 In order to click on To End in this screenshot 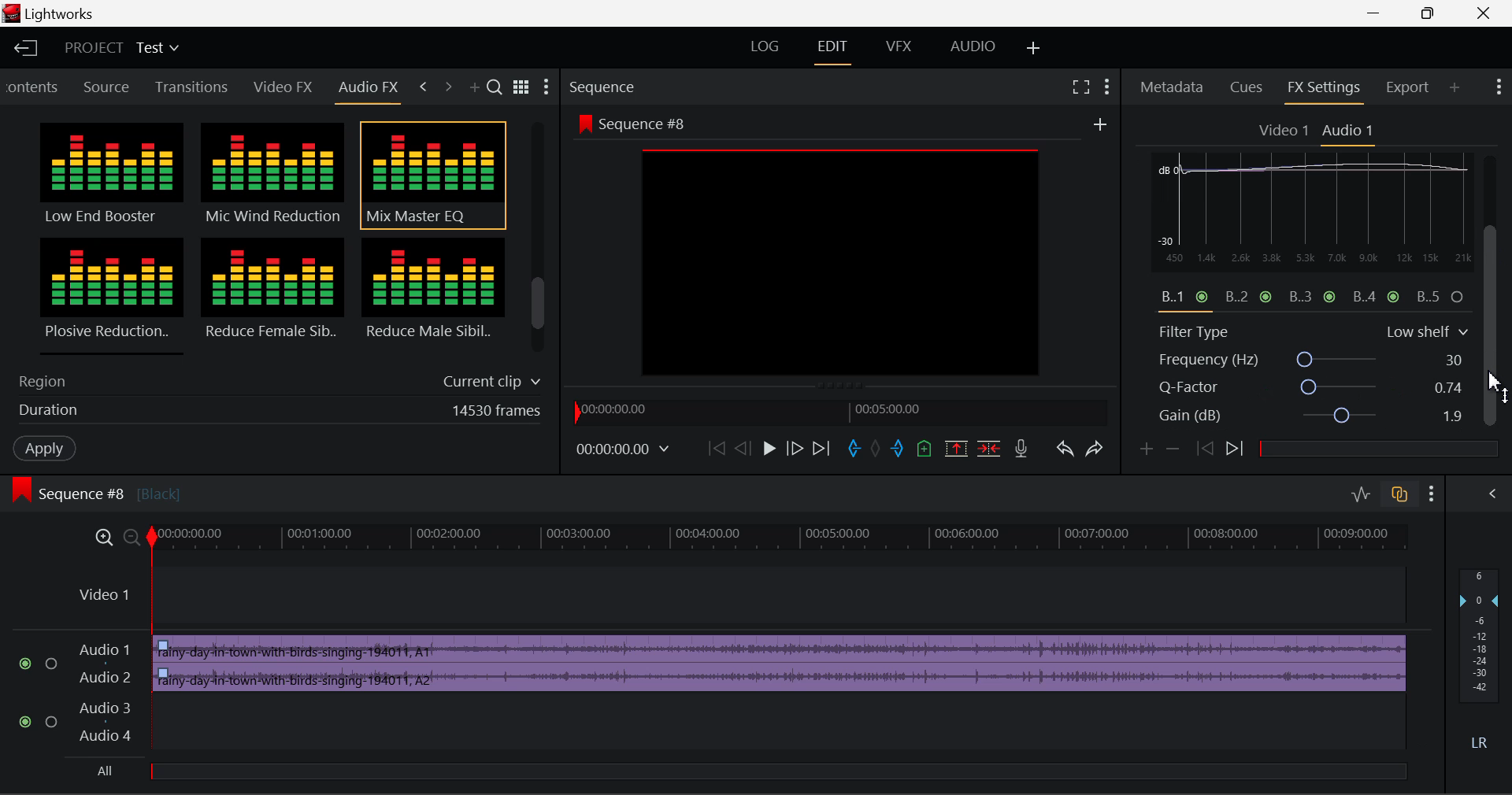, I will do `click(825, 450)`.